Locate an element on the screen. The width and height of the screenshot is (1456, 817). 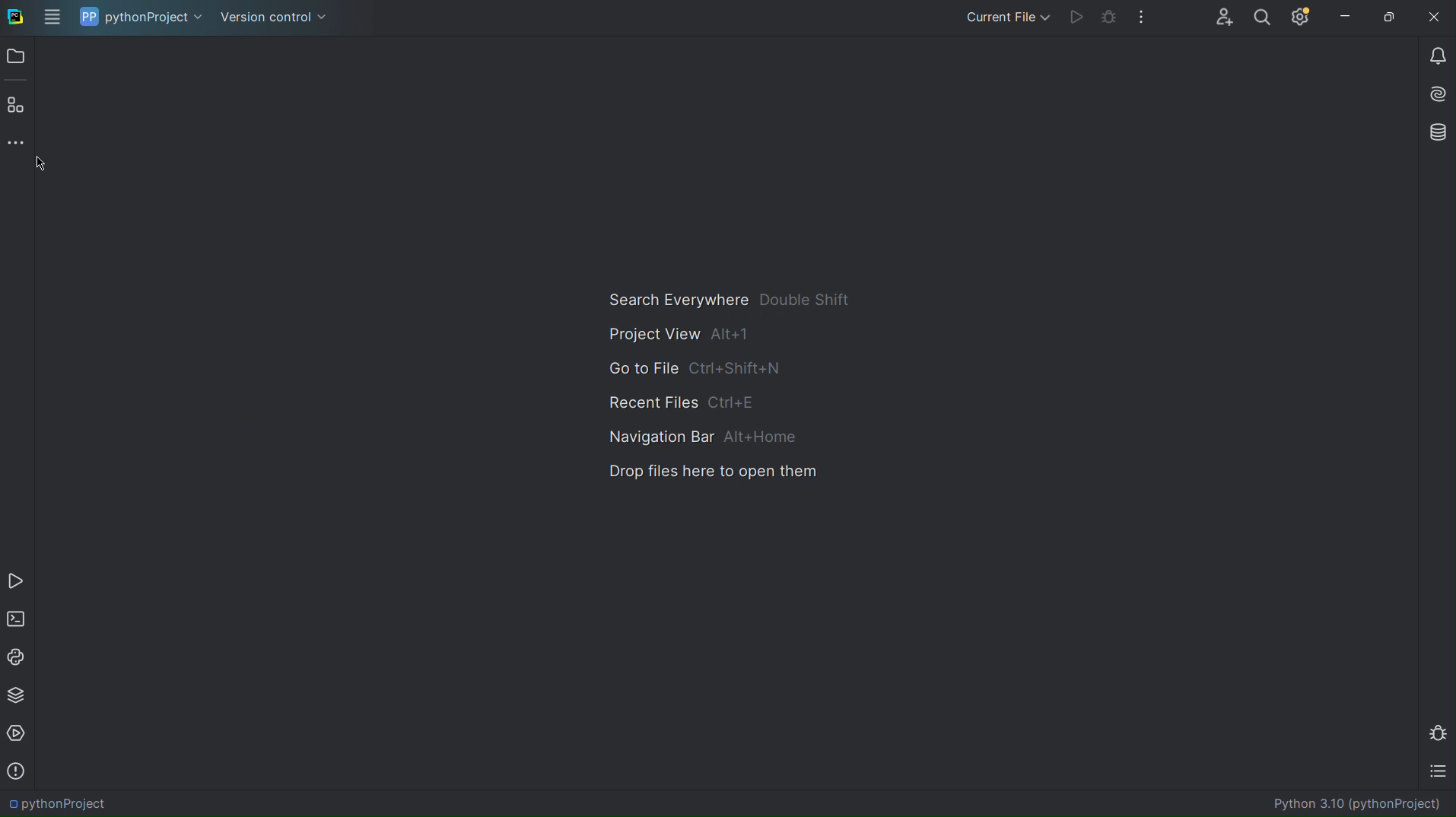
PyCharm logo is located at coordinates (14, 15).